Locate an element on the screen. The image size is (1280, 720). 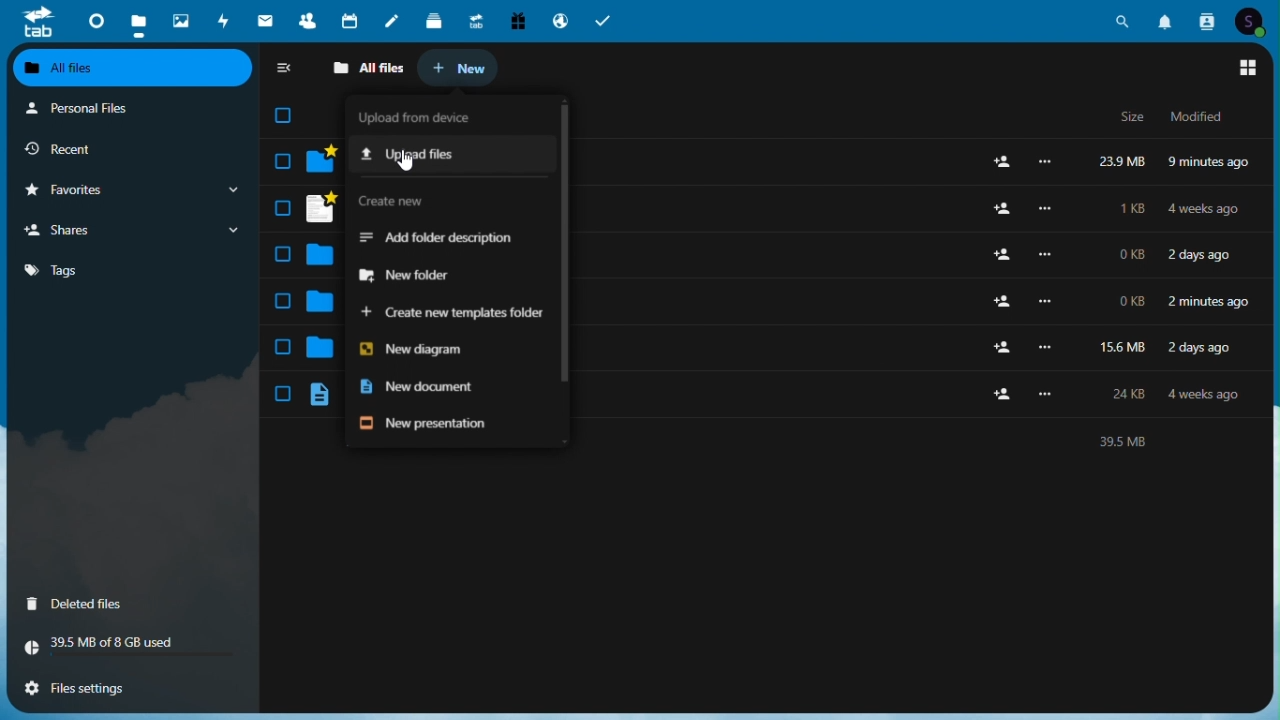
search is located at coordinates (1123, 19).